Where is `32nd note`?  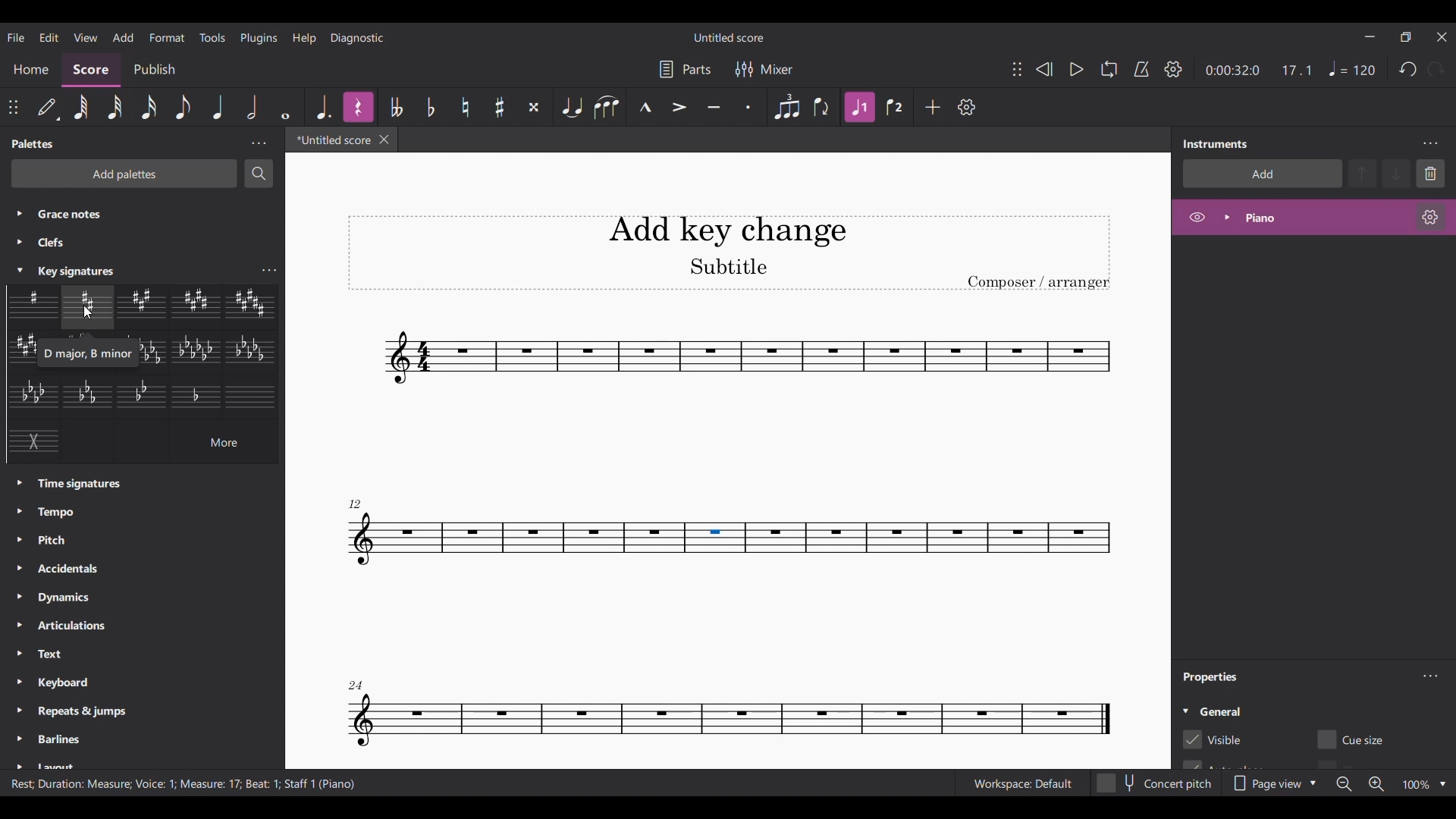 32nd note is located at coordinates (115, 107).